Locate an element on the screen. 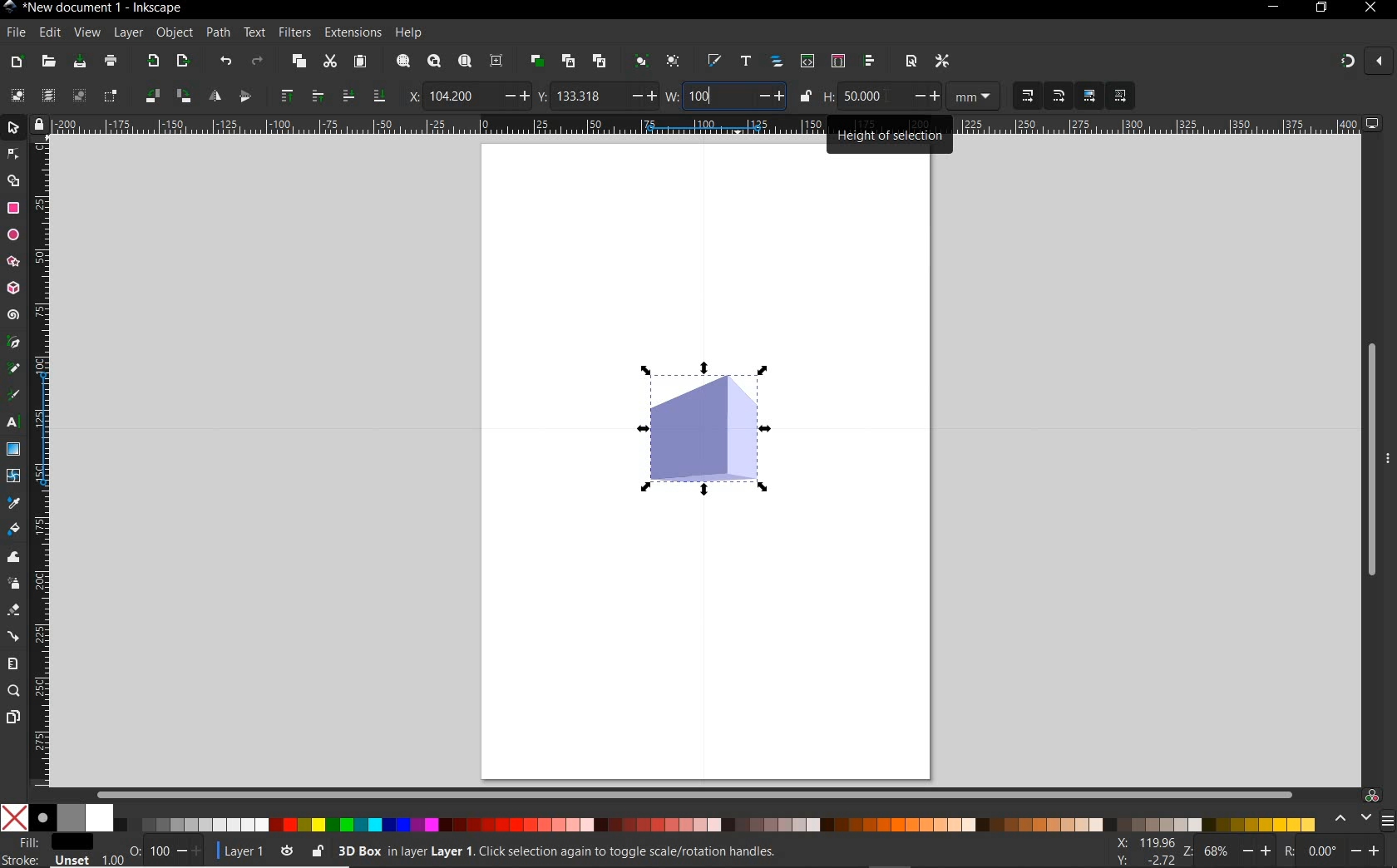 This screenshot has width=1397, height=868. 100 is located at coordinates (716, 96).